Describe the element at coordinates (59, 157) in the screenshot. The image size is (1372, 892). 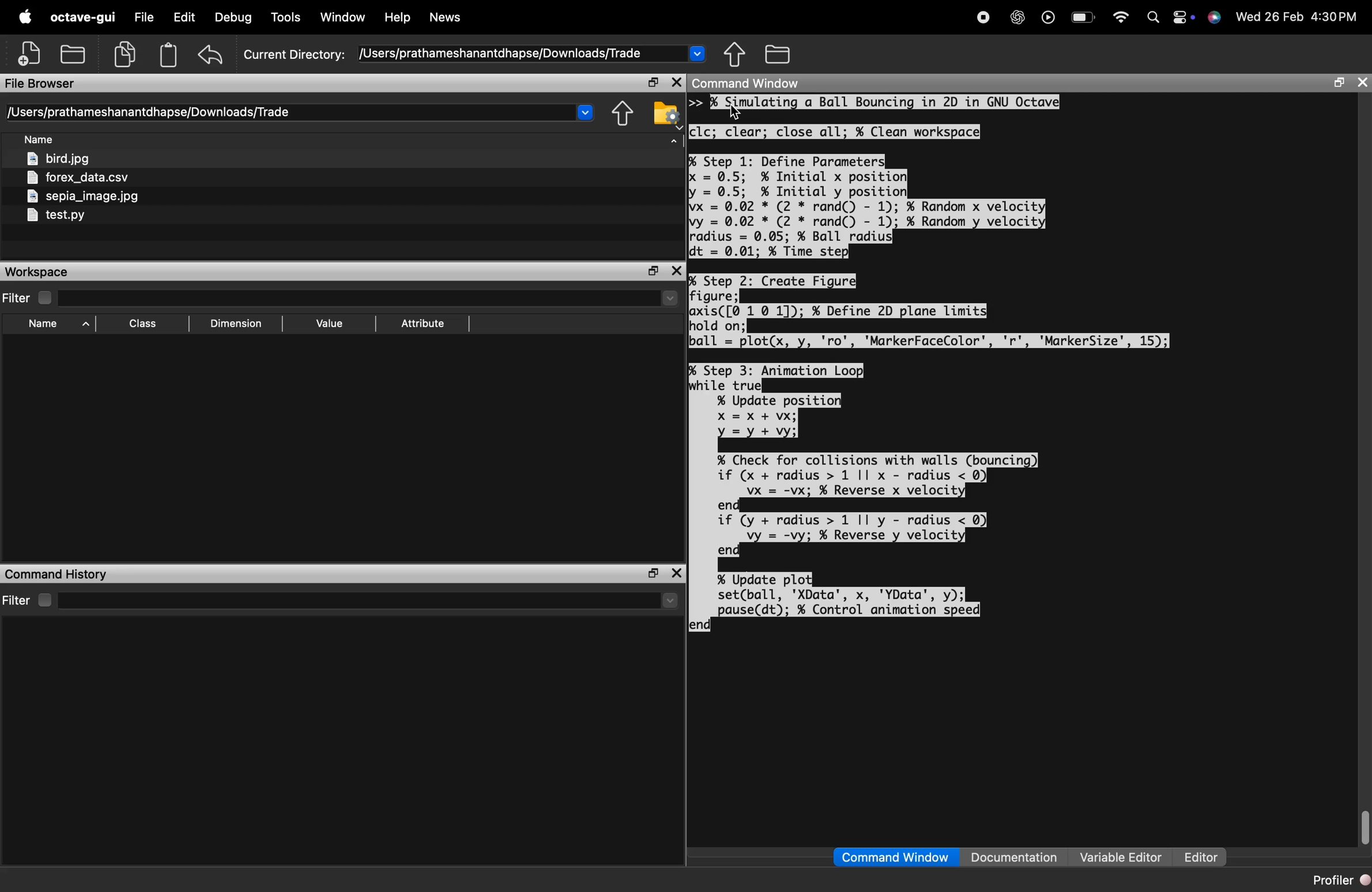
I see ` bird.jpg` at that location.